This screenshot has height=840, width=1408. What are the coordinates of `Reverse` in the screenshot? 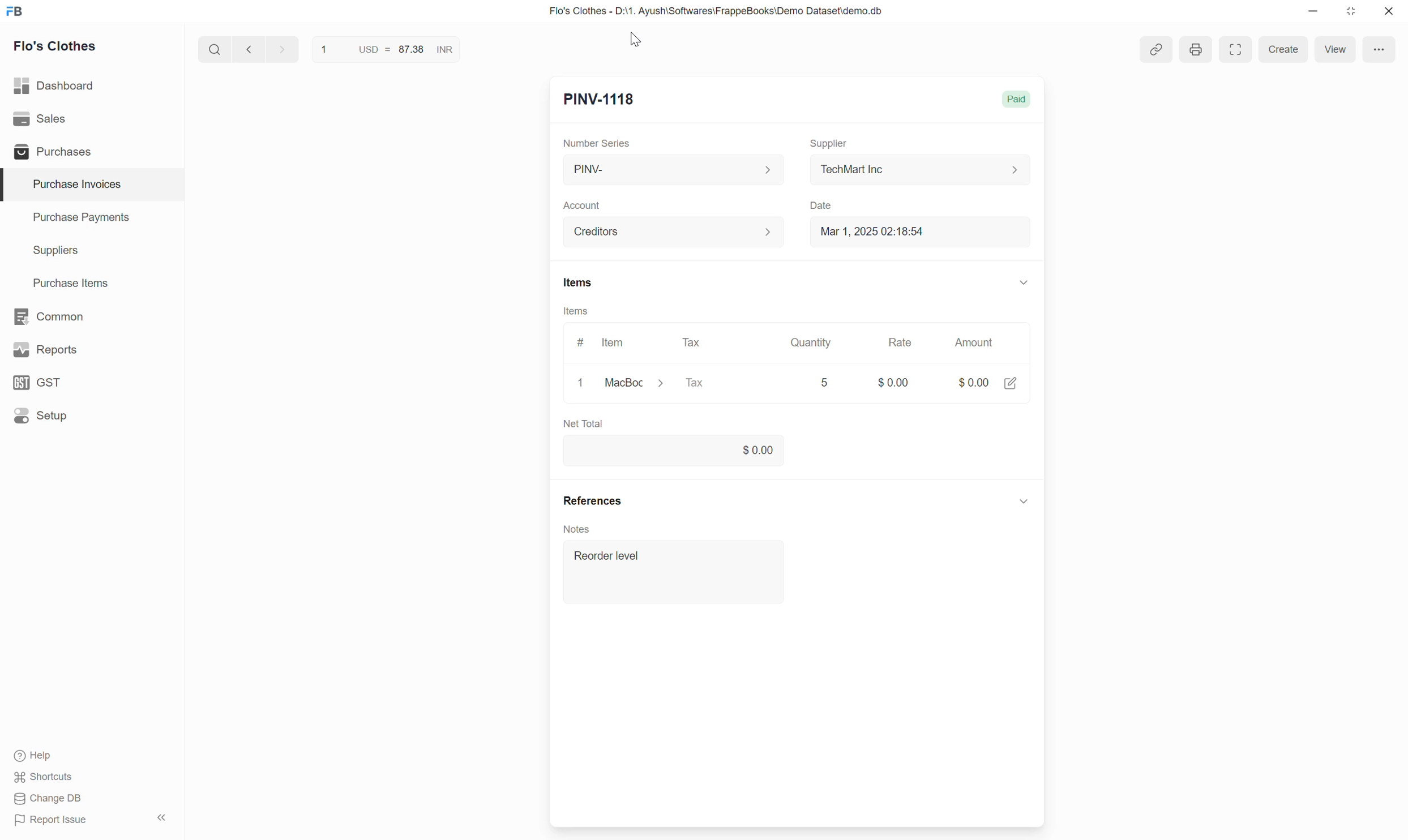 It's located at (472, 50).